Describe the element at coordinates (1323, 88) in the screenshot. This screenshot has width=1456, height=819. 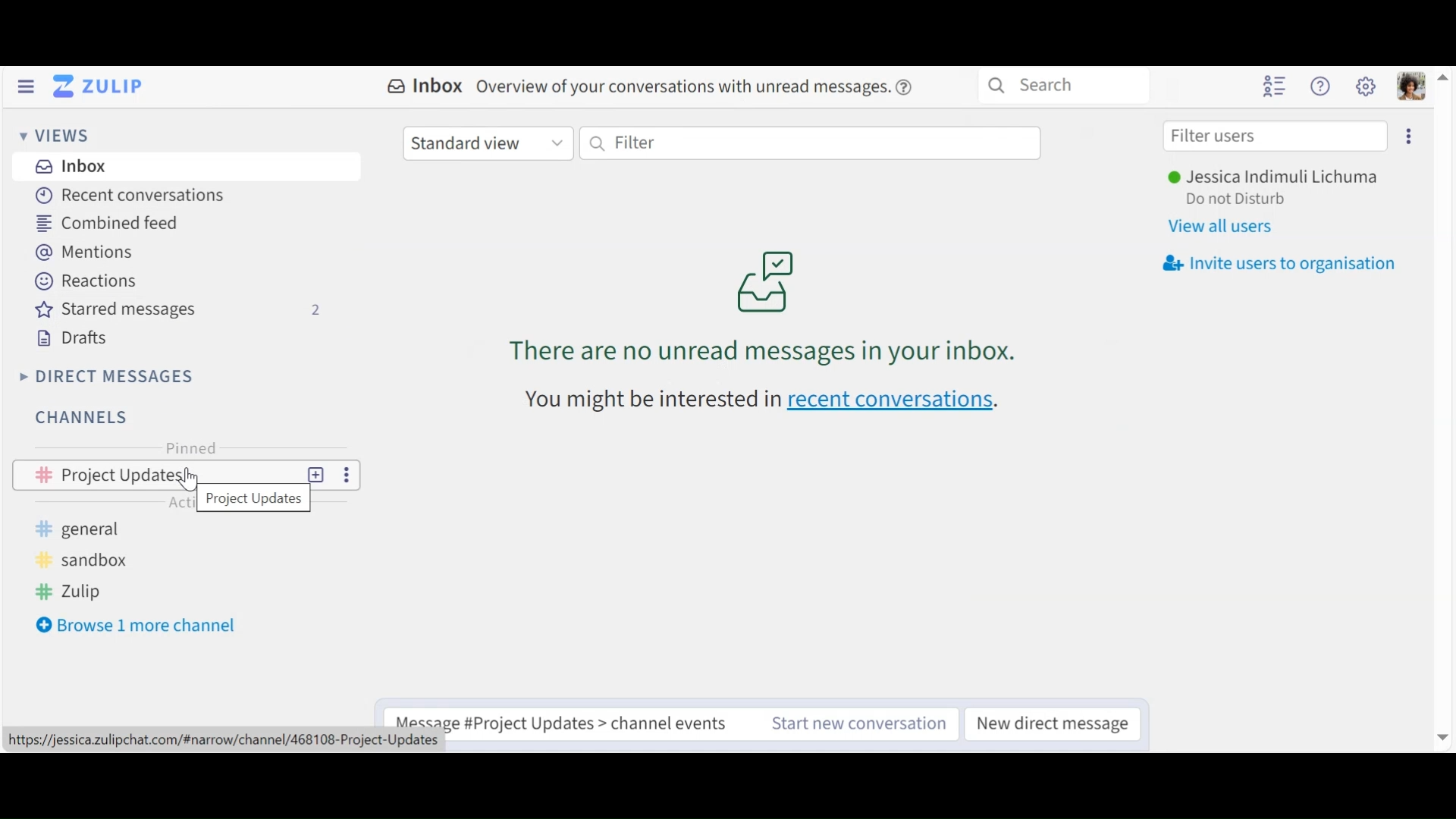
I see `Help menu` at that location.